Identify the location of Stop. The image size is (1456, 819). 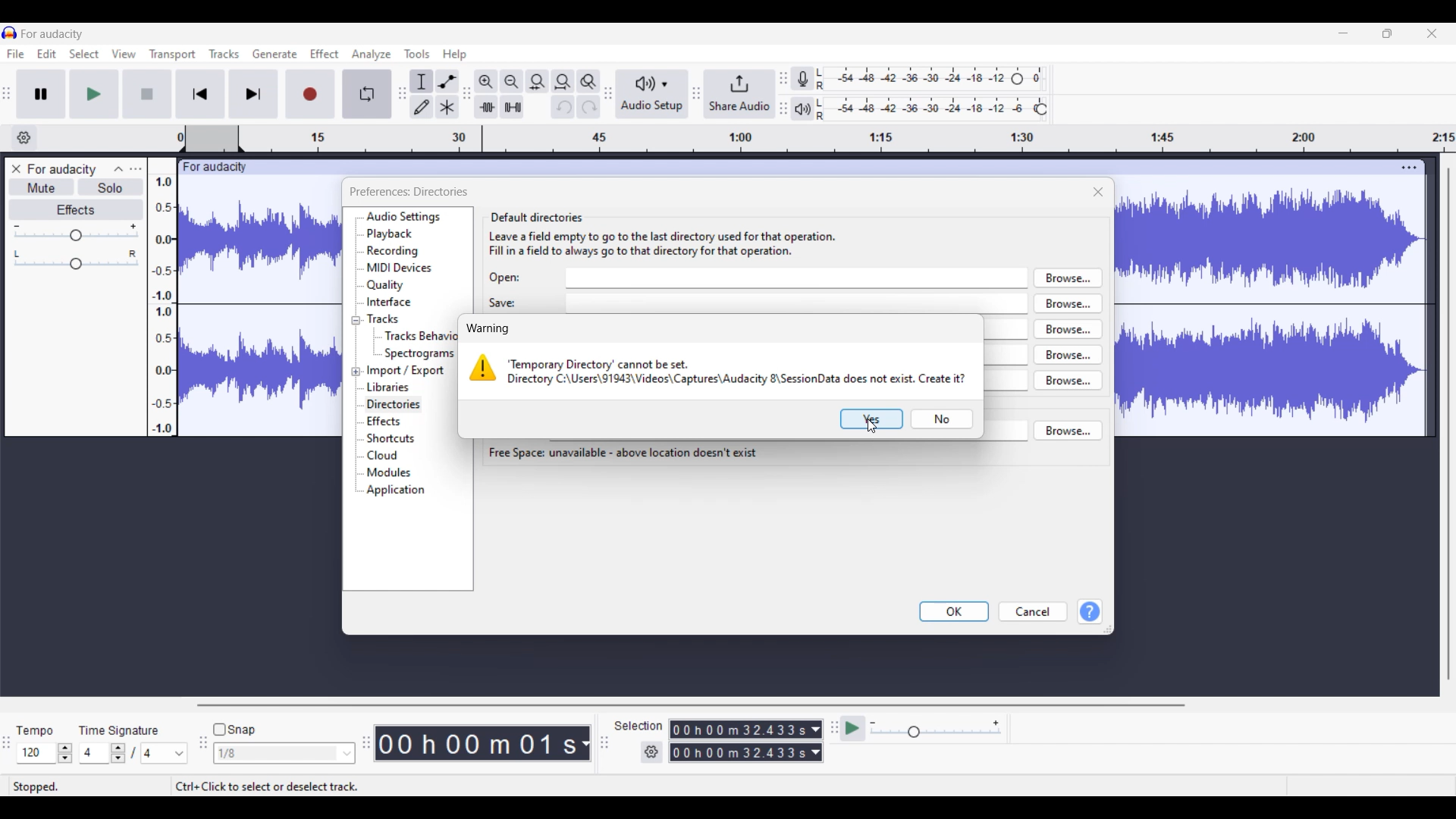
(148, 94).